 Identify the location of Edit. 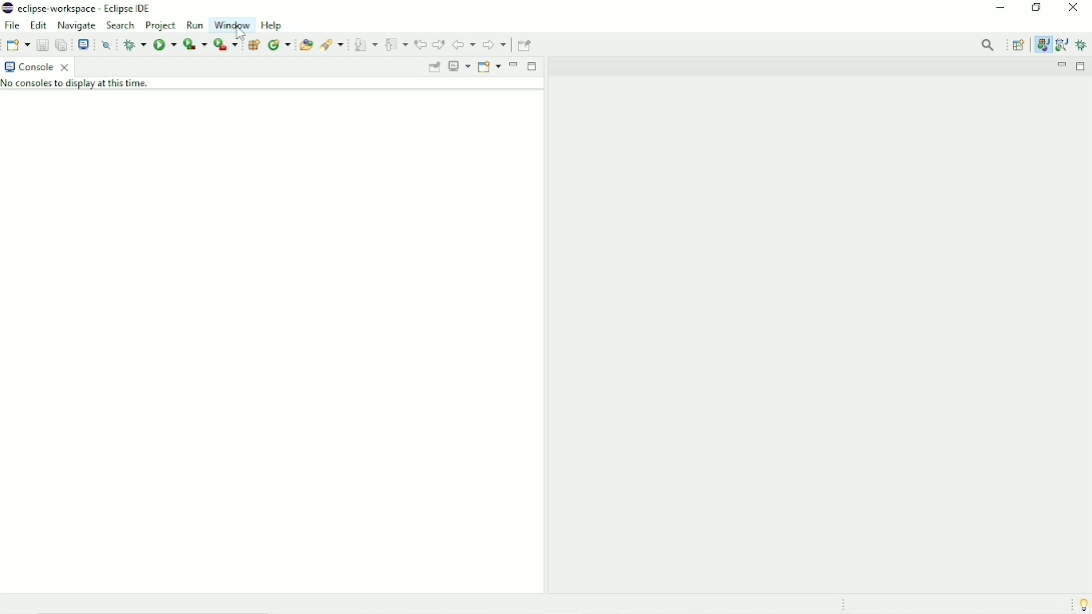
(39, 24).